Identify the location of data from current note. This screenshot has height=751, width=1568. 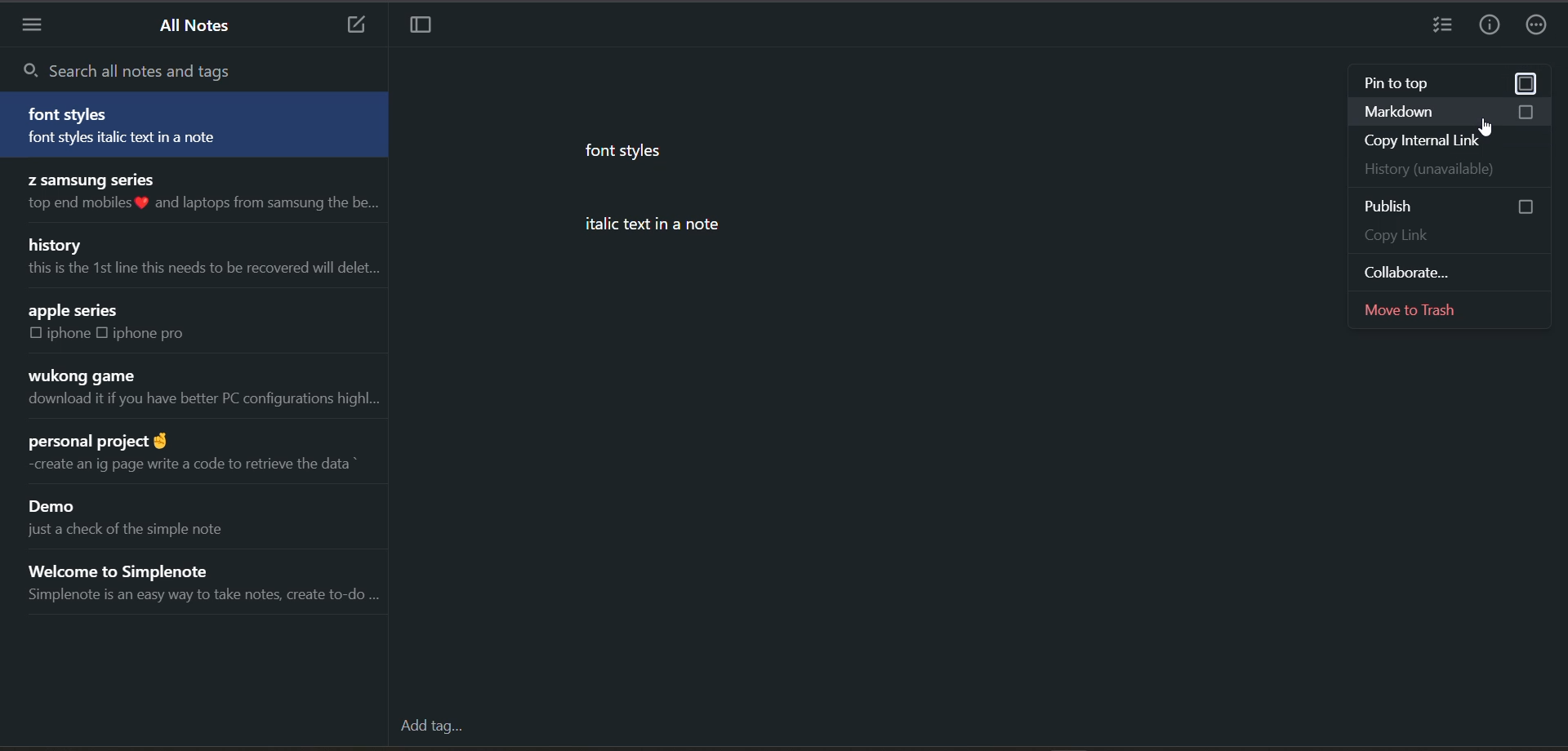
(719, 202).